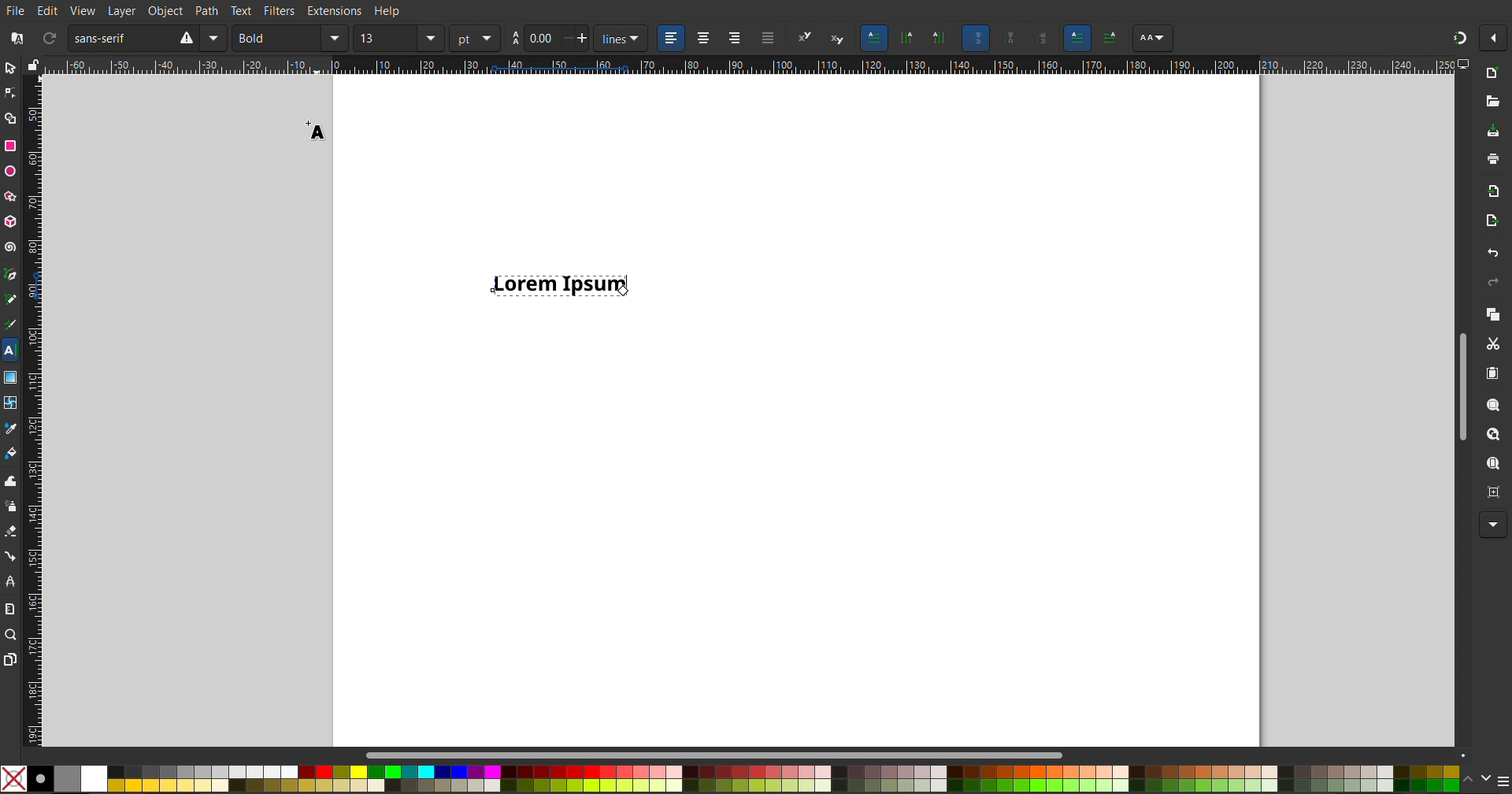 This screenshot has height=794, width=1512. I want to click on Path, so click(207, 9).